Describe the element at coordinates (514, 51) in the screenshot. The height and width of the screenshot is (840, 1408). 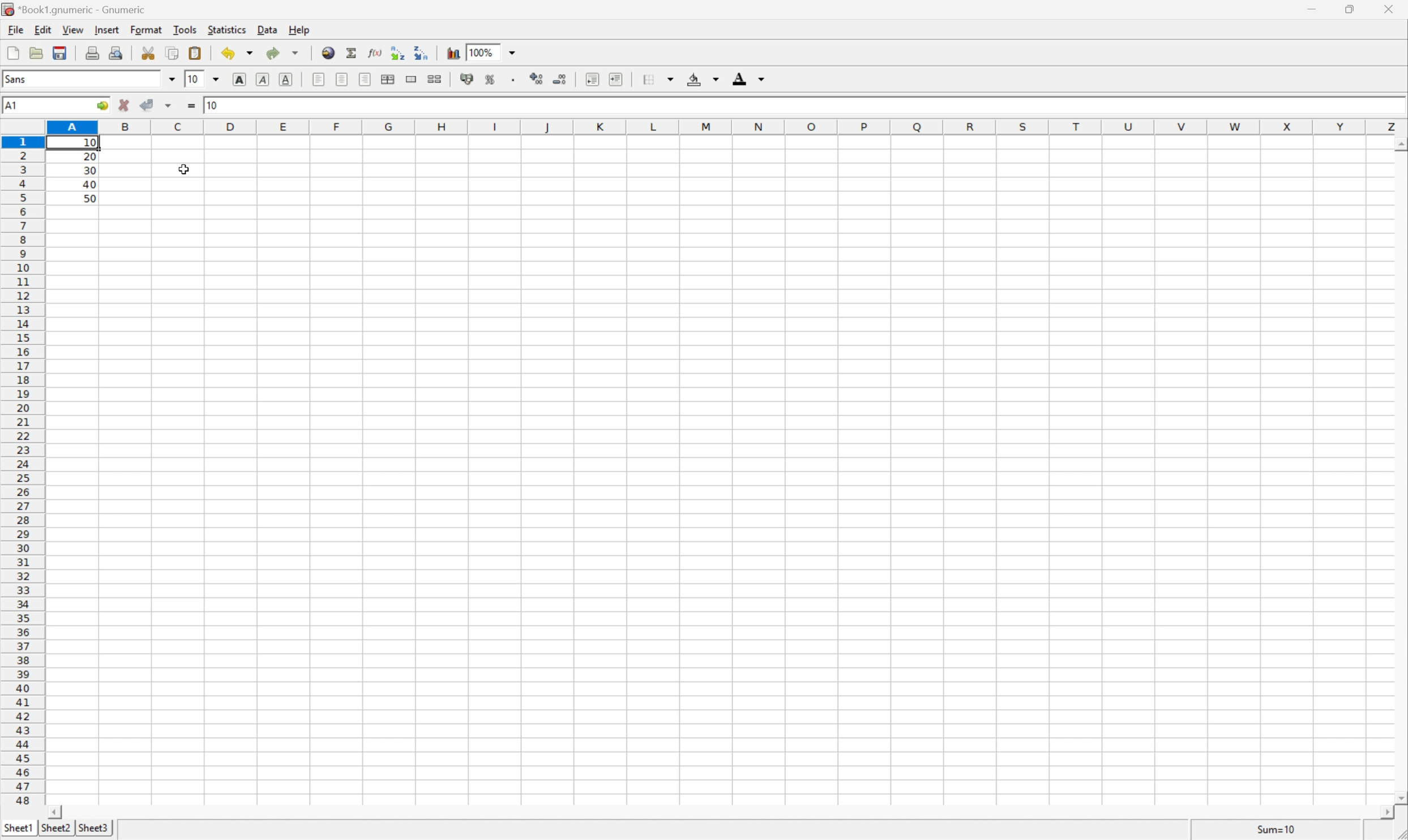
I see `Drop down` at that location.